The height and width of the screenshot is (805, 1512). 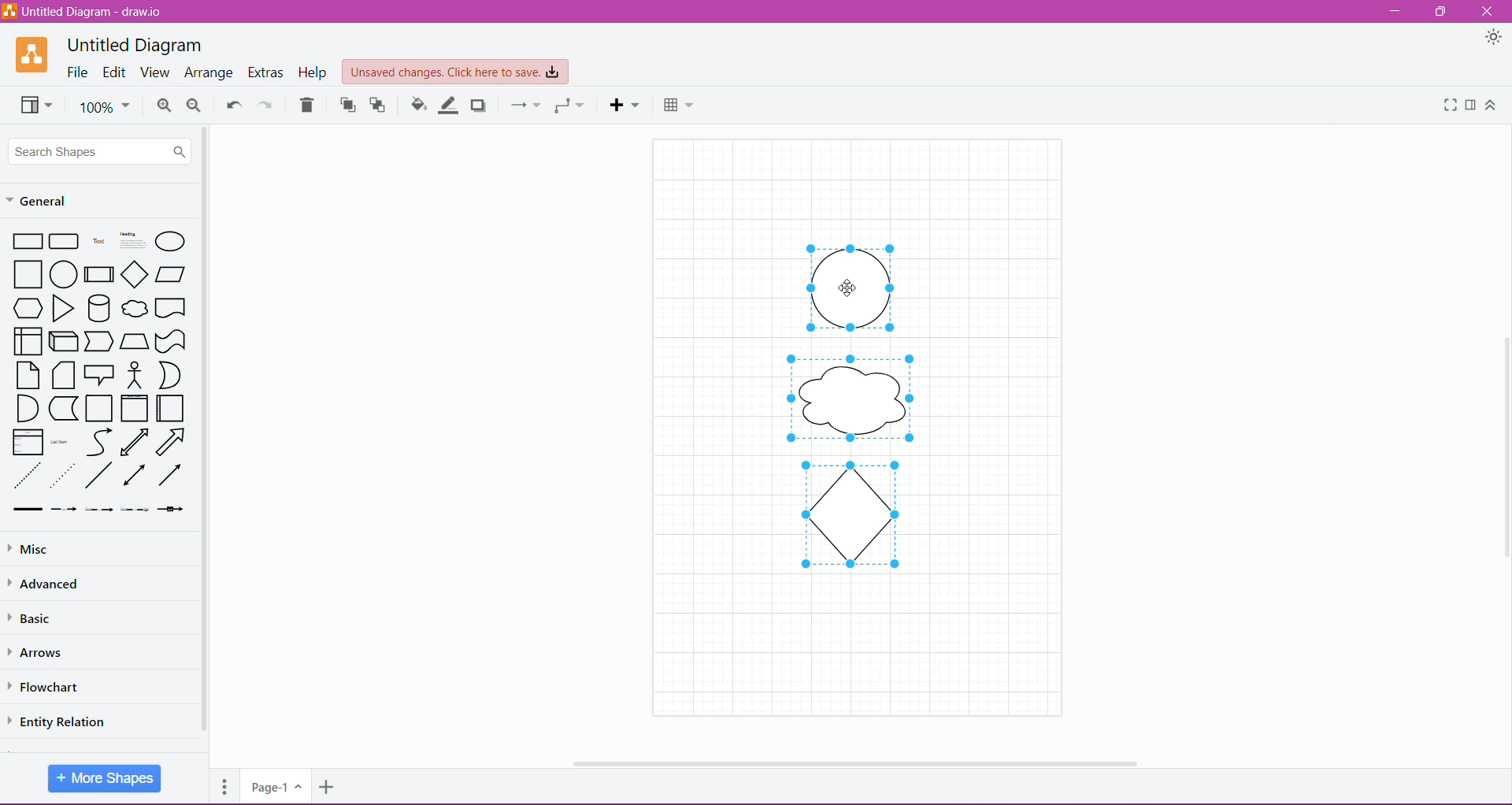 I want to click on Line Color, so click(x=450, y=105).